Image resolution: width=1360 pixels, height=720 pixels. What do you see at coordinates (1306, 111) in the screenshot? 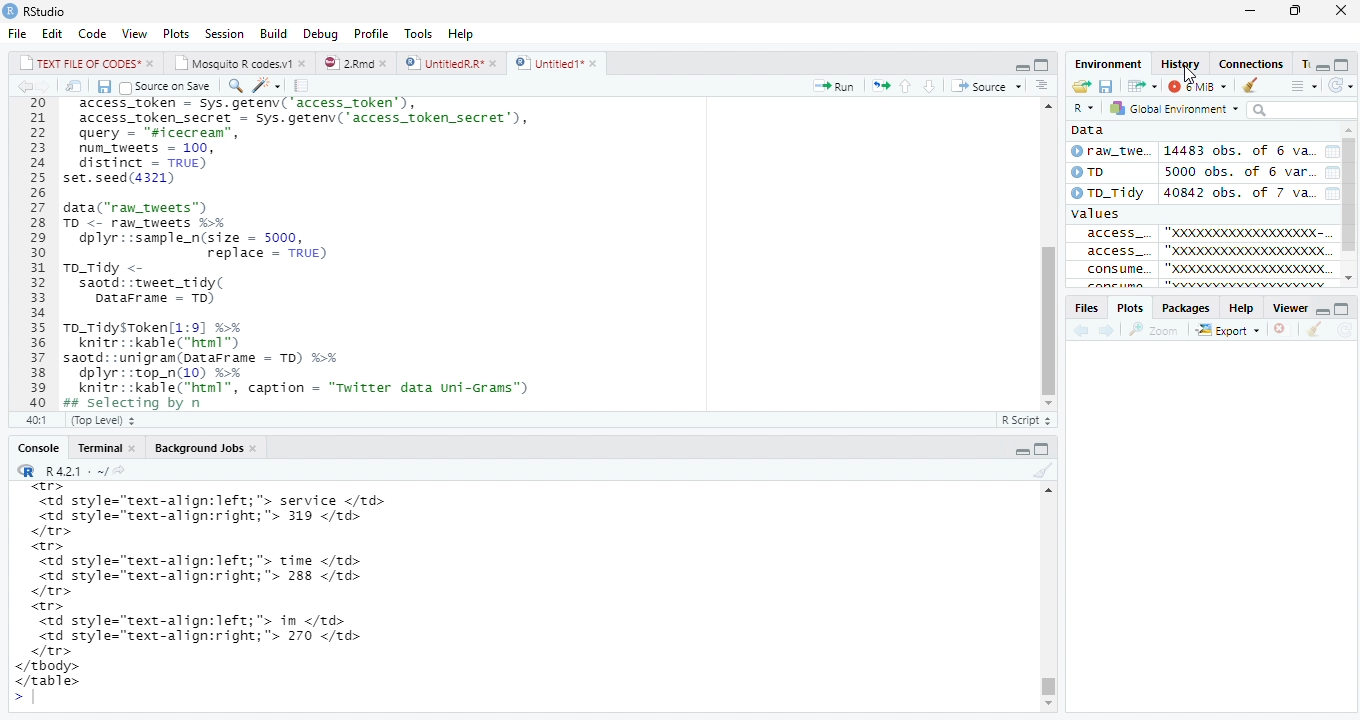
I see `searchbar` at bounding box center [1306, 111].